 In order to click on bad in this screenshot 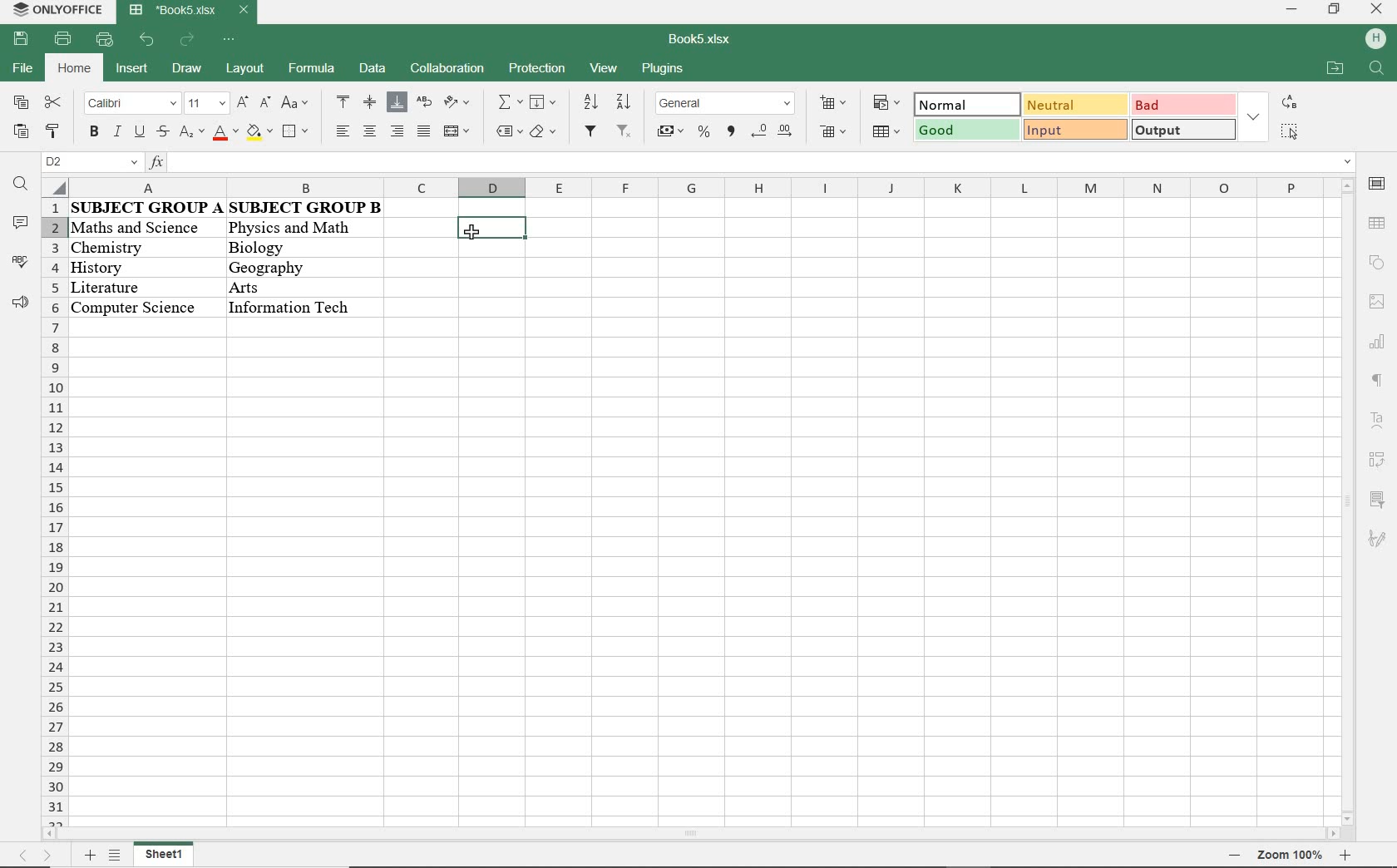, I will do `click(1183, 104)`.